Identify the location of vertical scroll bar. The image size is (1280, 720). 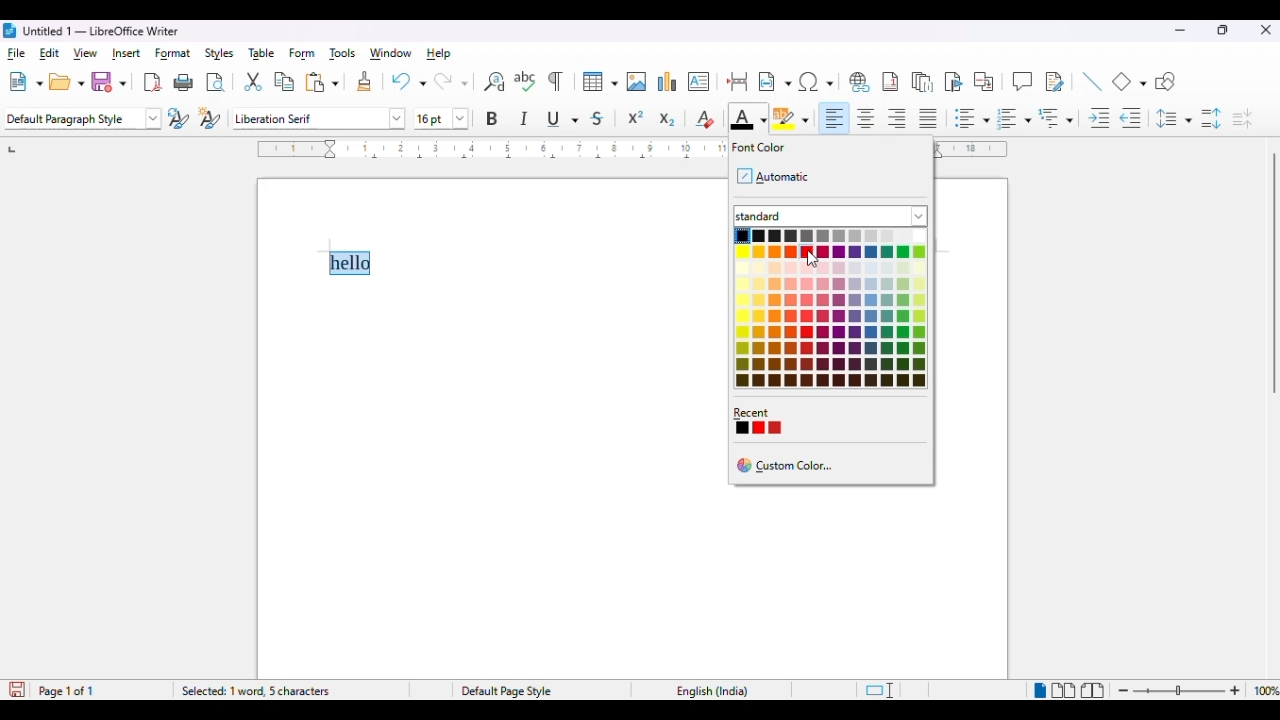
(1272, 274).